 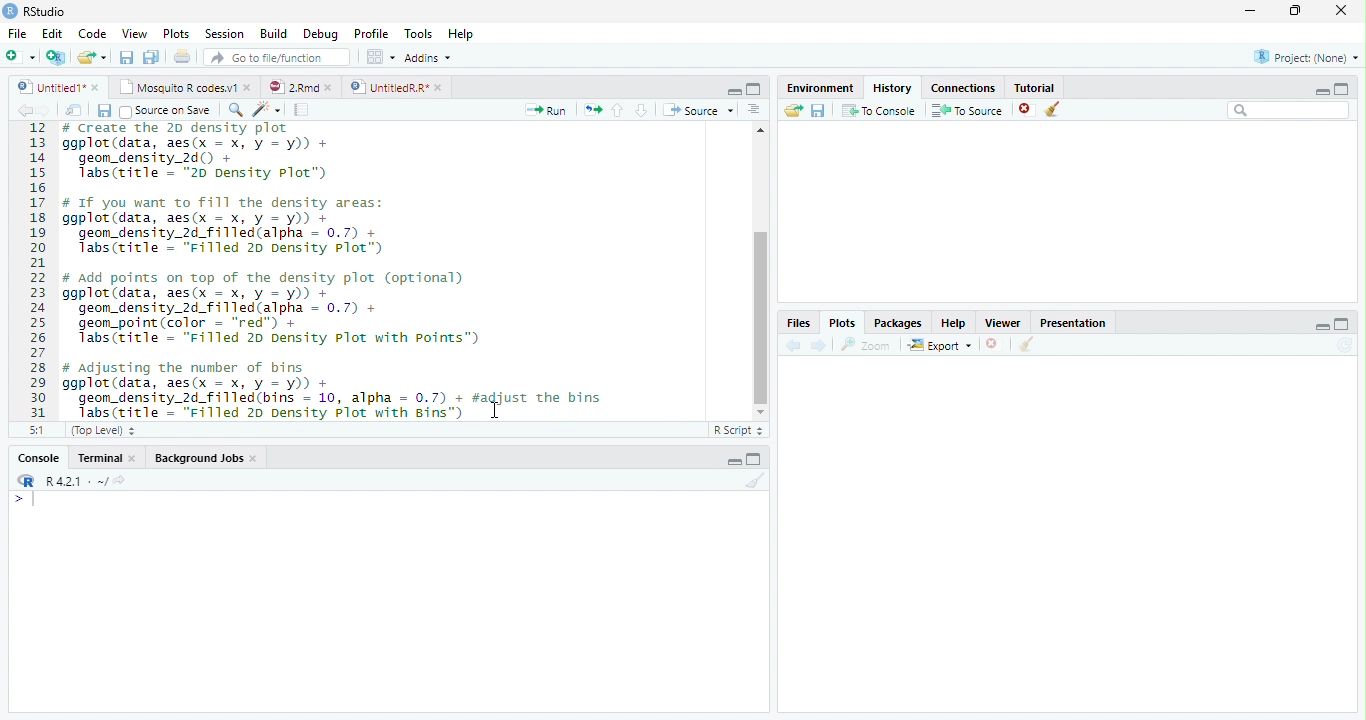 I want to click on wrokspace pan, so click(x=379, y=57).